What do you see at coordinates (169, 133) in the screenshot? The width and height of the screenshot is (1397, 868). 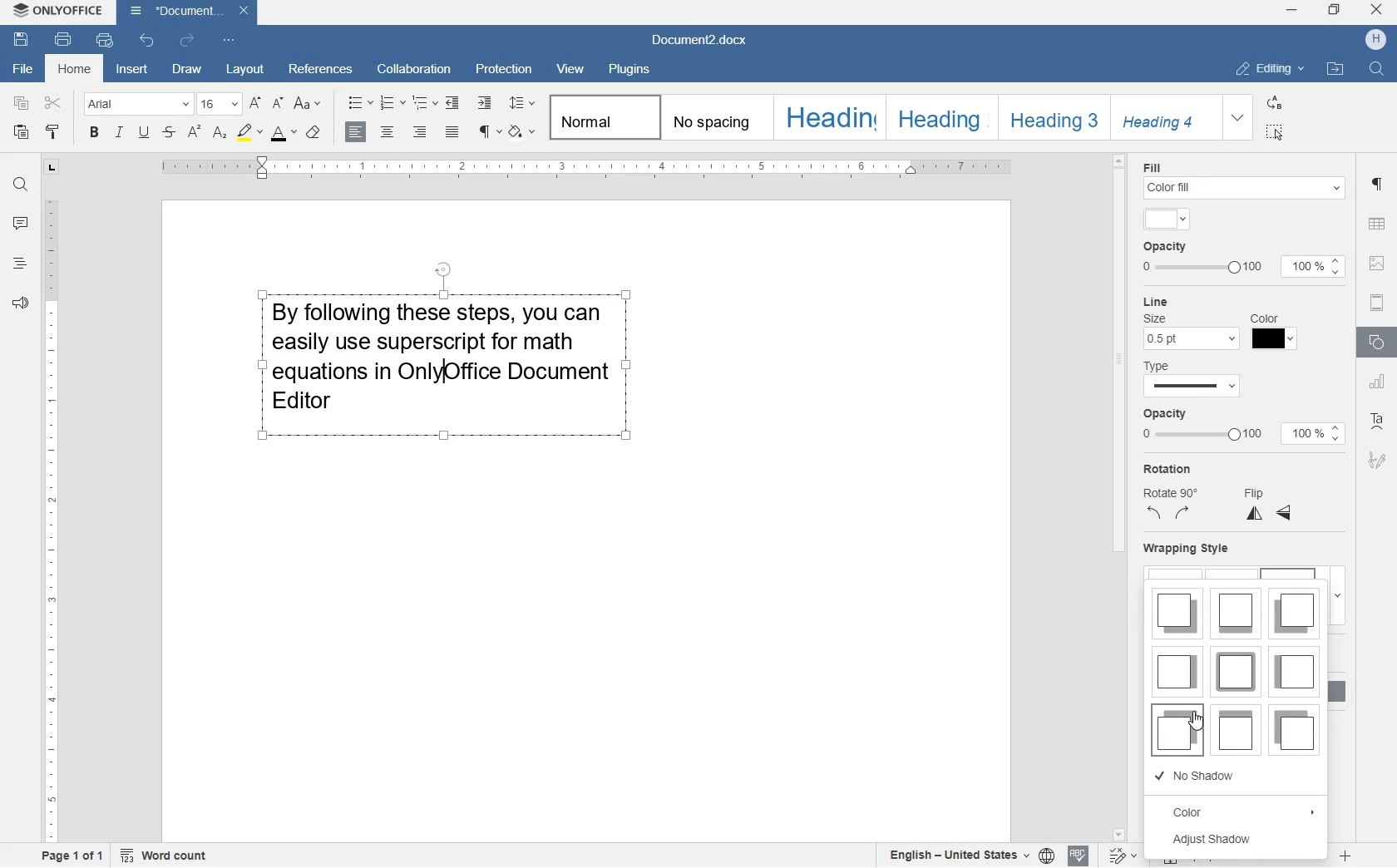 I see `strikethrough` at bounding box center [169, 133].